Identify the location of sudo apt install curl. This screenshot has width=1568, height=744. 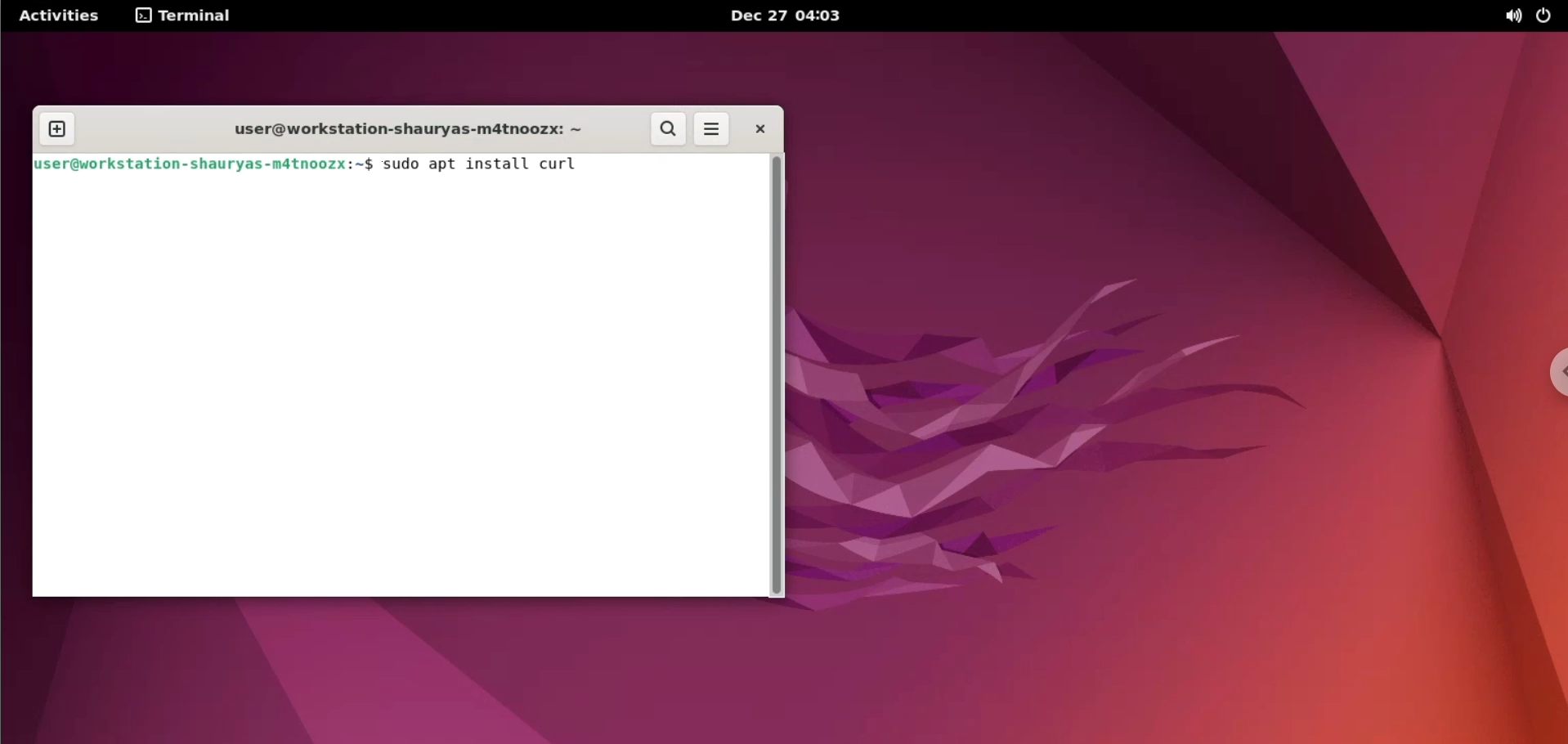
(491, 165).